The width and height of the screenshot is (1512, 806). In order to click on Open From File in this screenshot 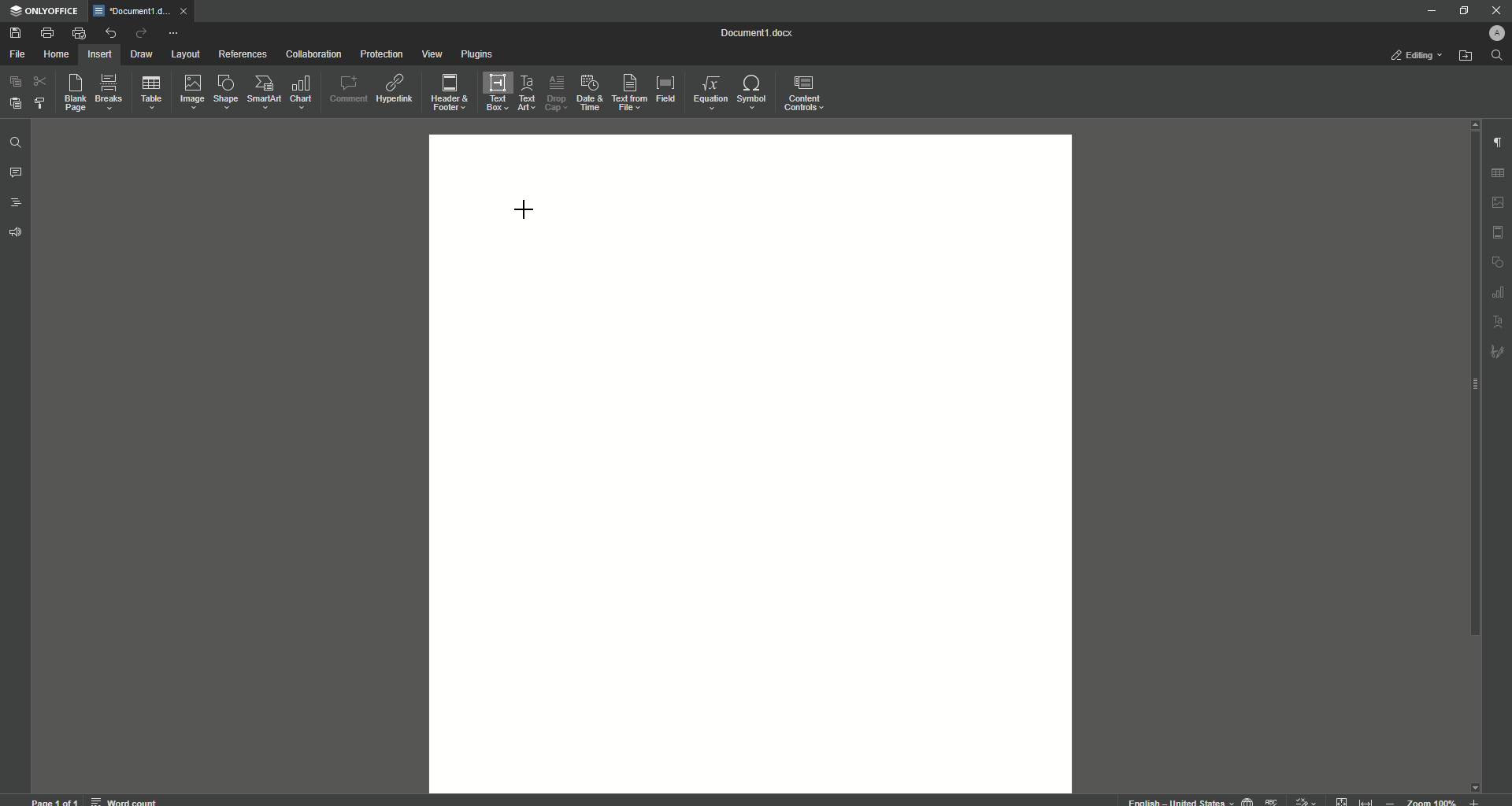, I will do `click(1466, 56)`.